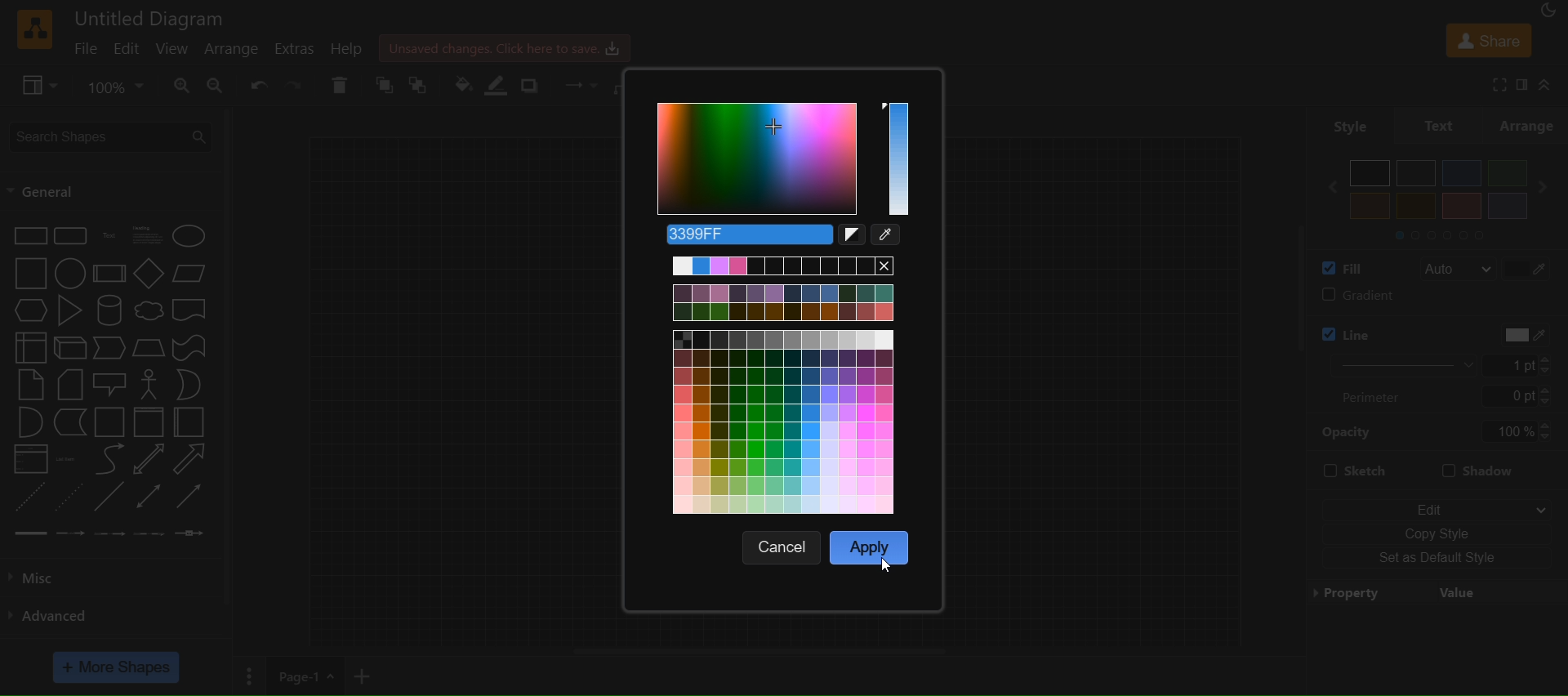 This screenshot has width=1568, height=696. Describe the element at coordinates (72, 422) in the screenshot. I see `data storage` at that location.